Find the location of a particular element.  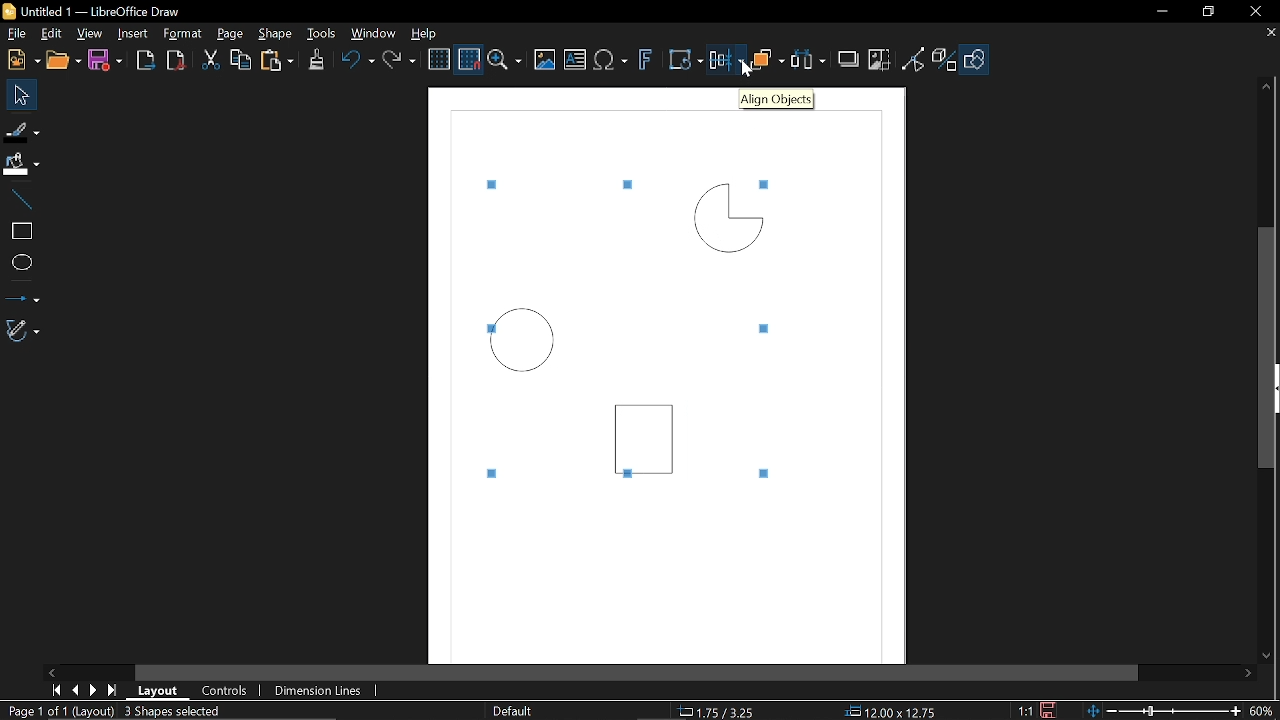

Toggle view is located at coordinates (913, 58).